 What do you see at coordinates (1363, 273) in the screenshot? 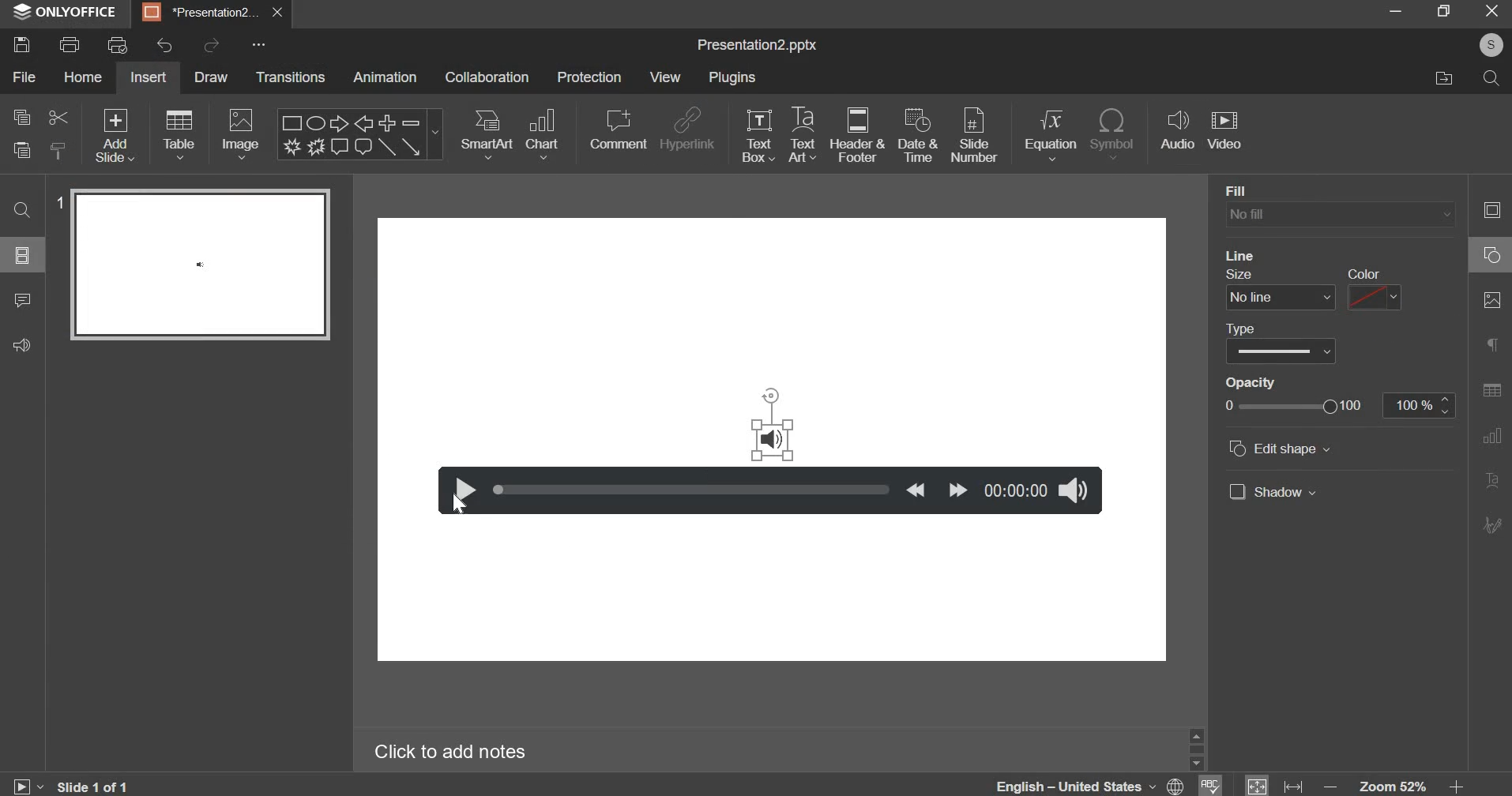
I see `color` at bounding box center [1363, 273].